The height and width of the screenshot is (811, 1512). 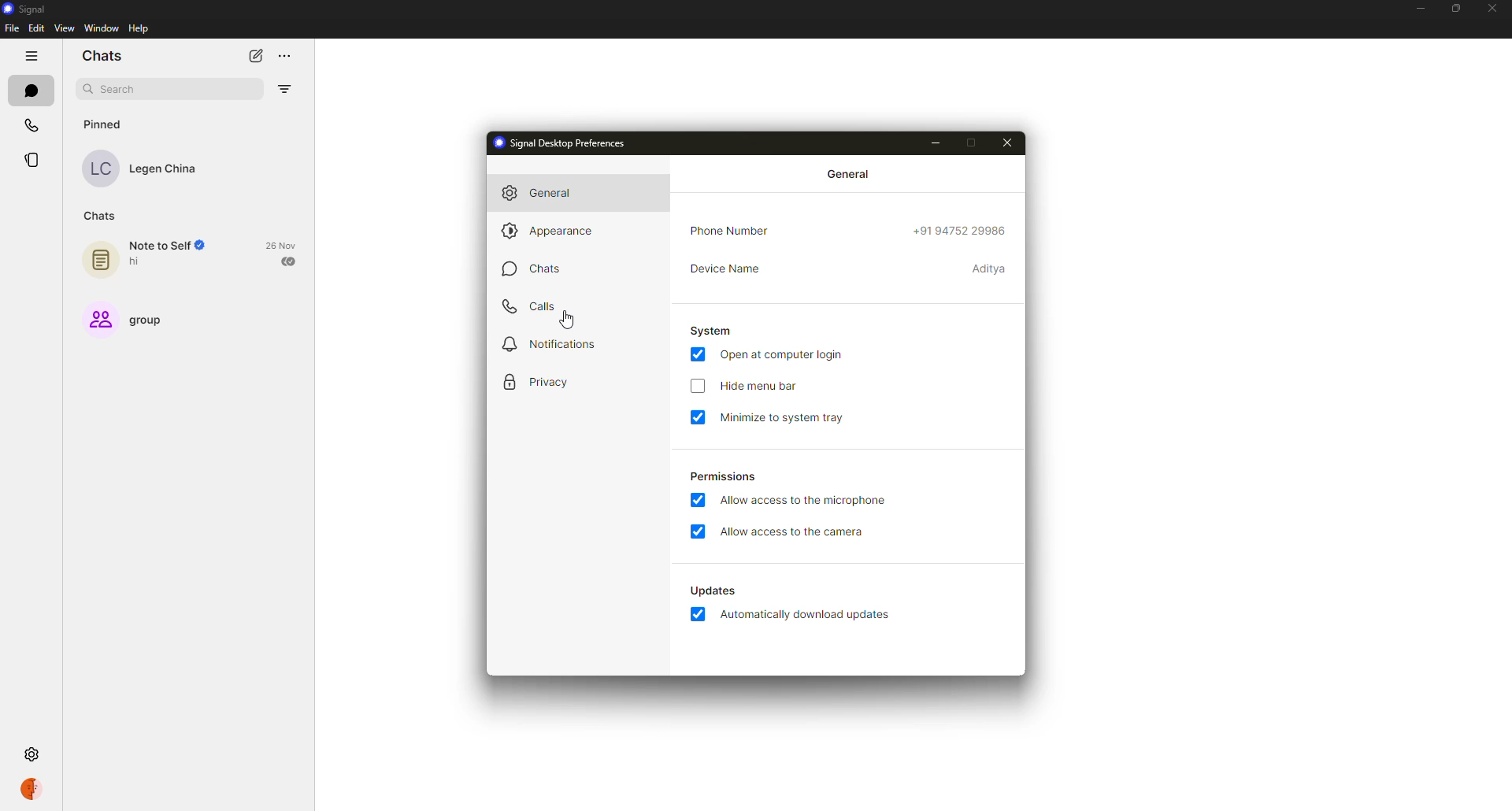 I want to click on chats, so click(x=534, y=271).